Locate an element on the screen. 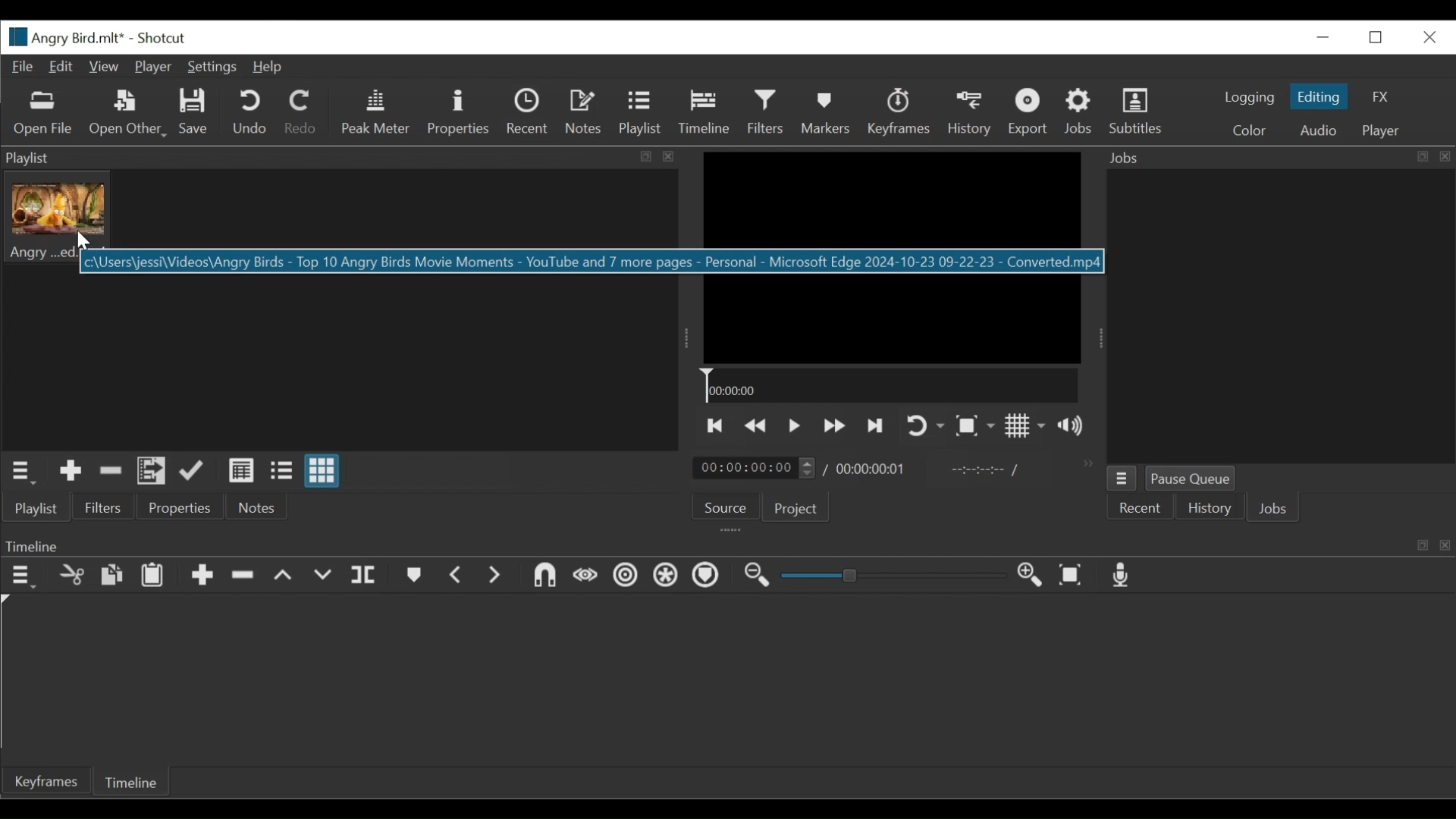  FX is located at coordinates (1379, 98).